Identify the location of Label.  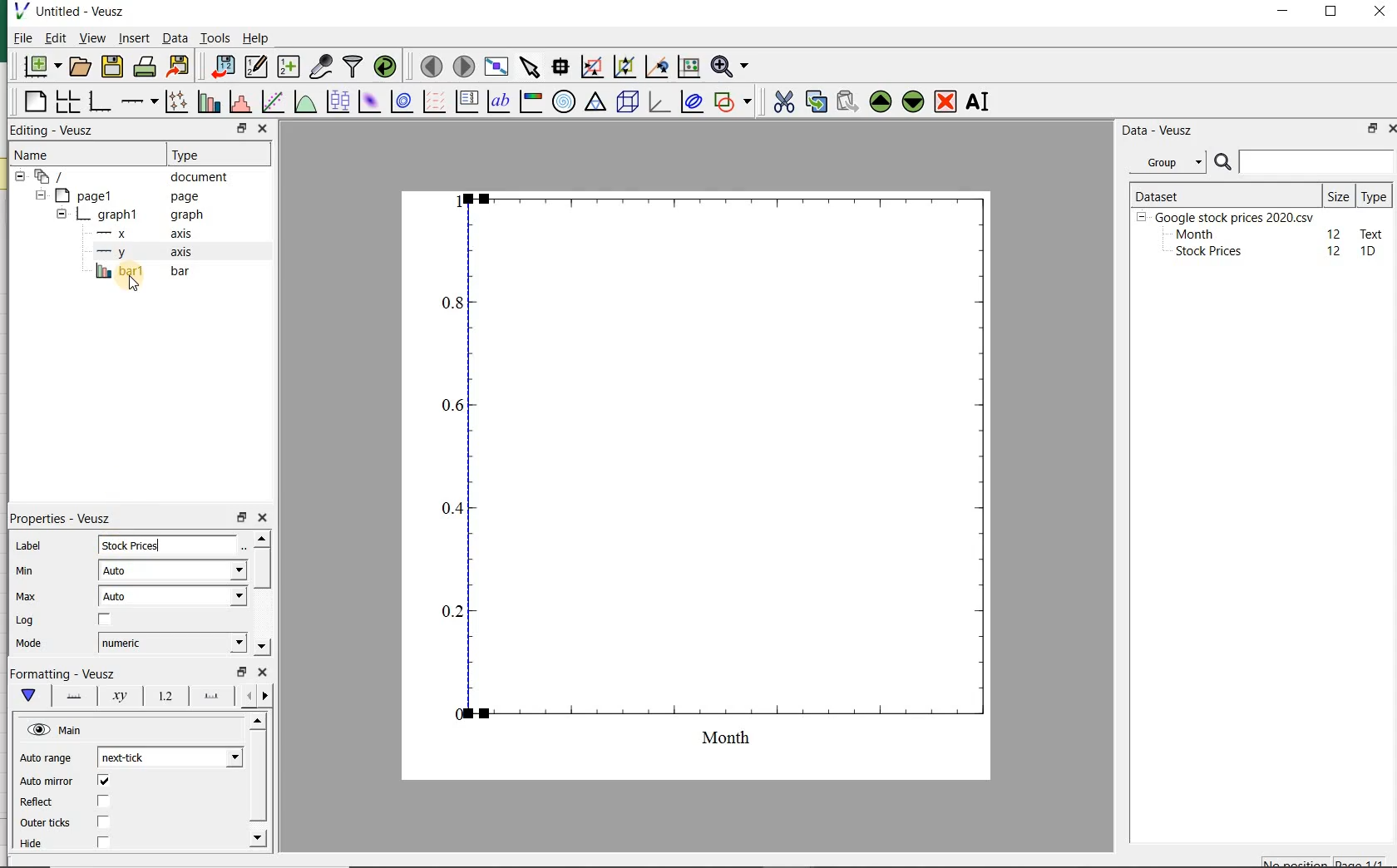
(31, 547).